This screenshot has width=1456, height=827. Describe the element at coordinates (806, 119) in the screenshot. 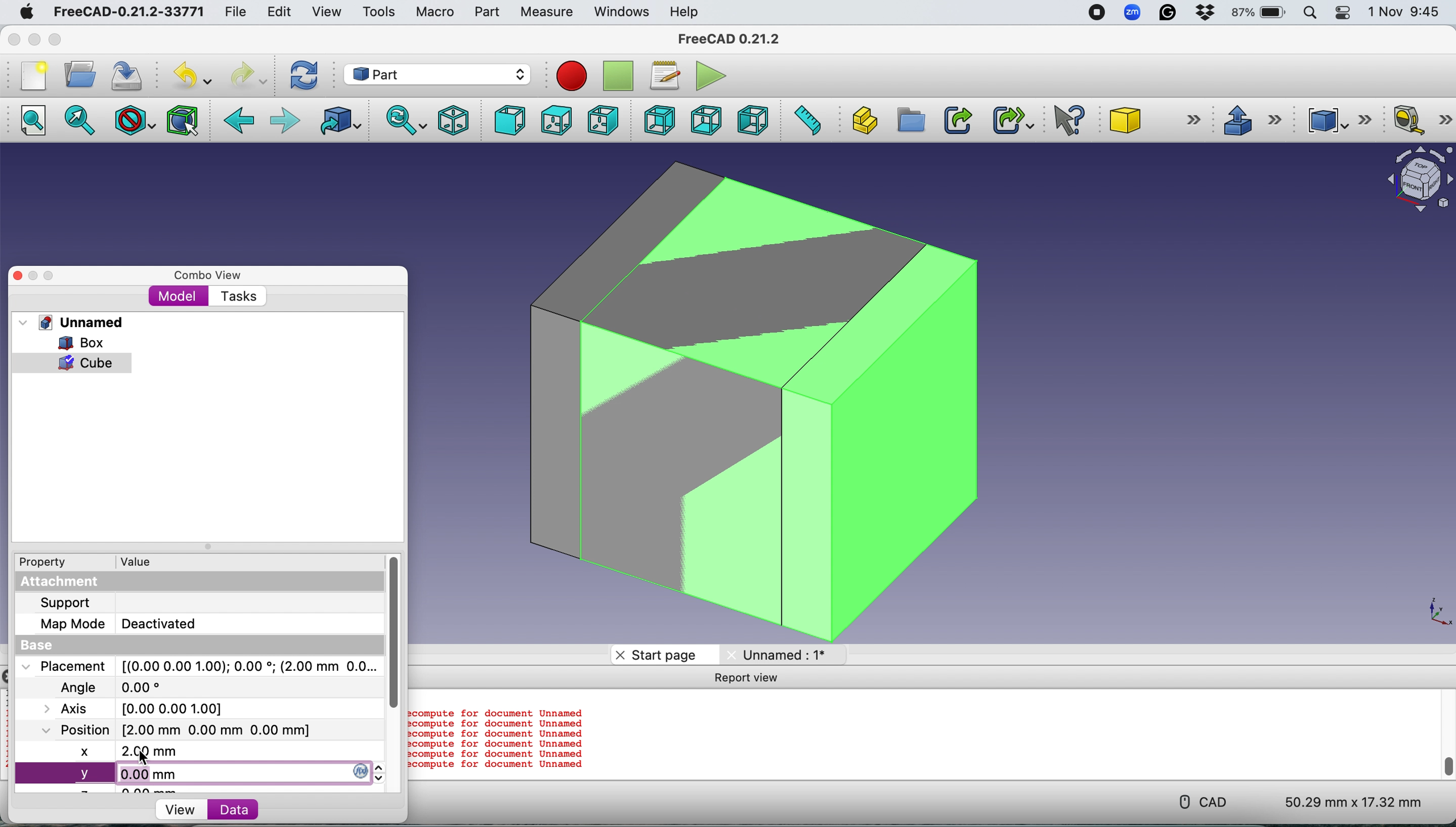

I see `Measure distance` at that location.